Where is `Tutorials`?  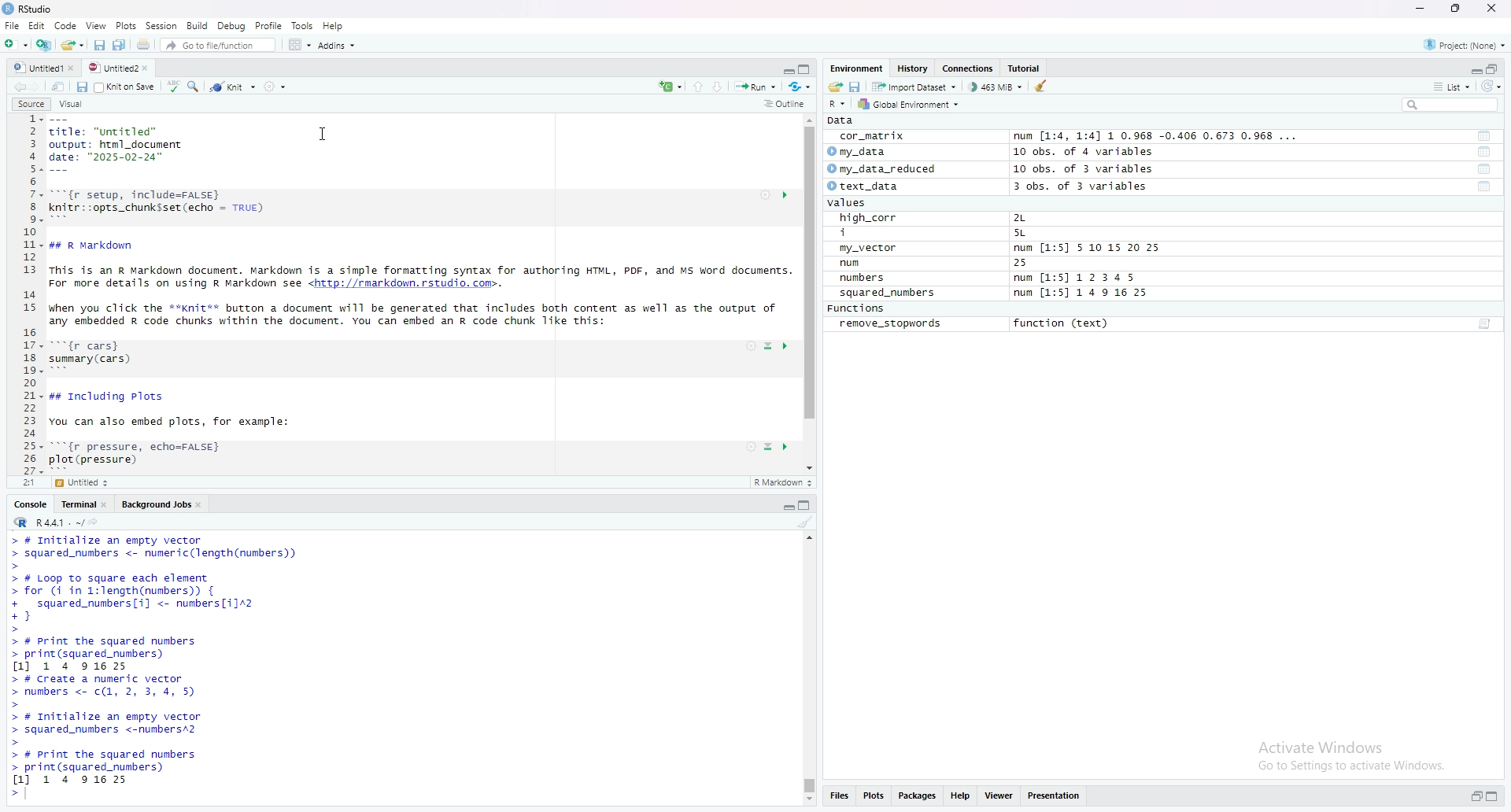
Tutorials is located at coordinates (1026, 67).